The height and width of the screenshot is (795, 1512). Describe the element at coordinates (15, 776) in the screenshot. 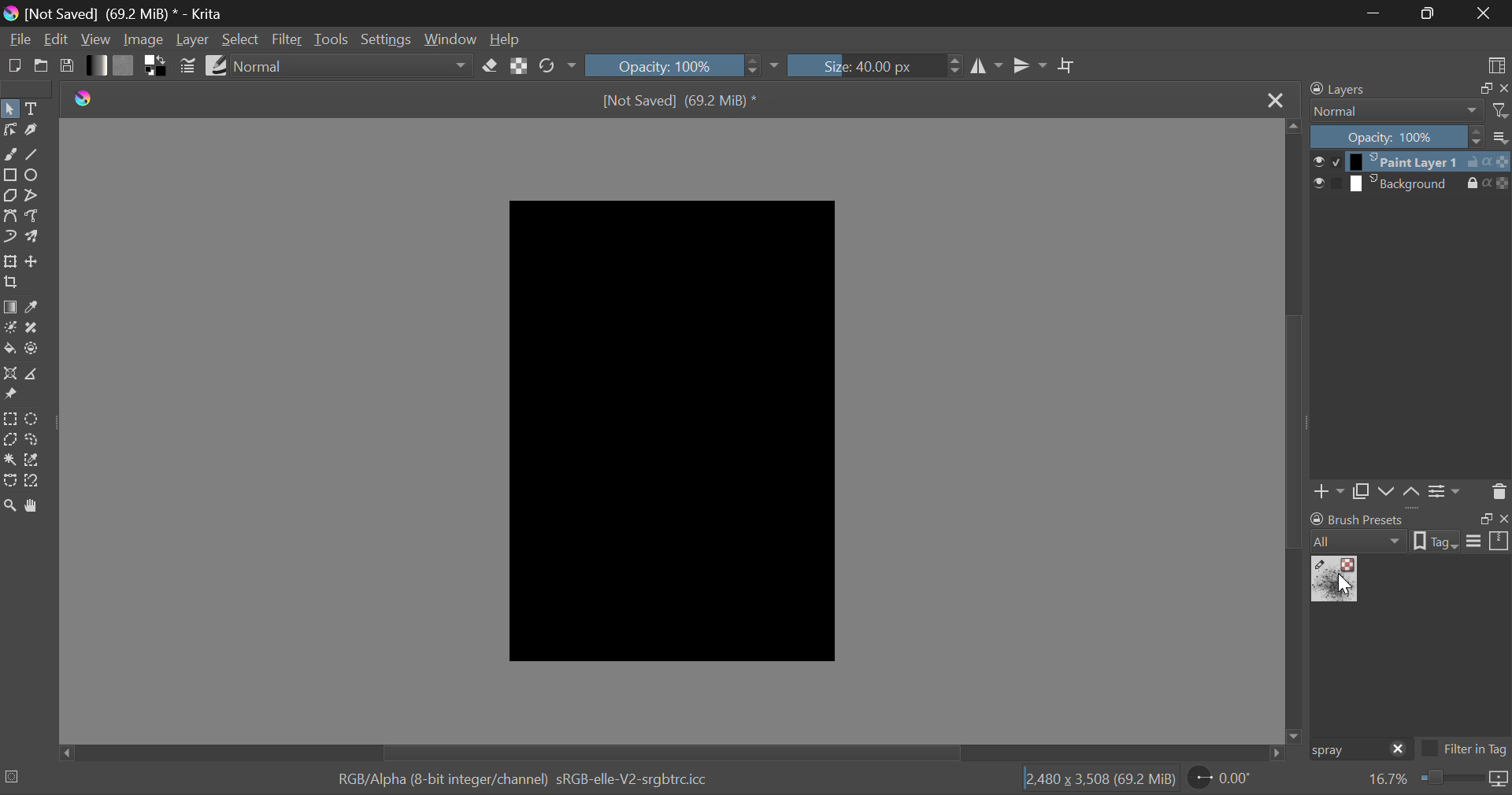

I see `selection` at that location.